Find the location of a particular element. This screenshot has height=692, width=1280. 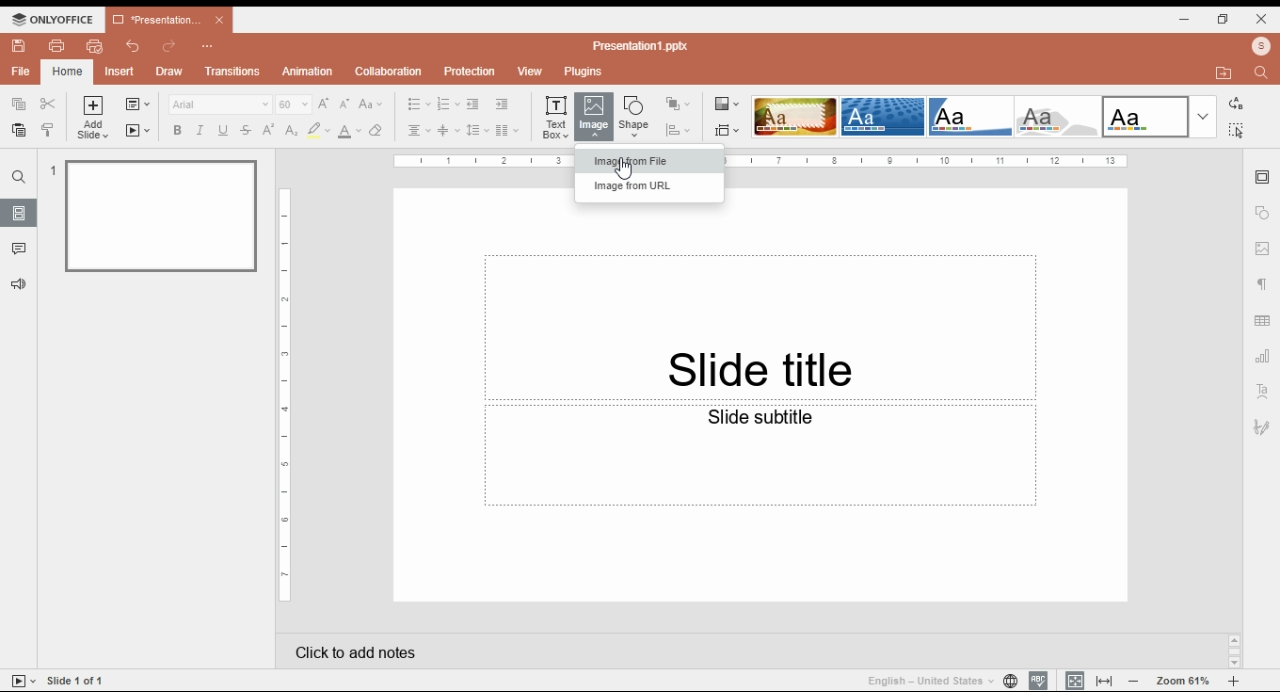

save is located at coordinates (20, 46).